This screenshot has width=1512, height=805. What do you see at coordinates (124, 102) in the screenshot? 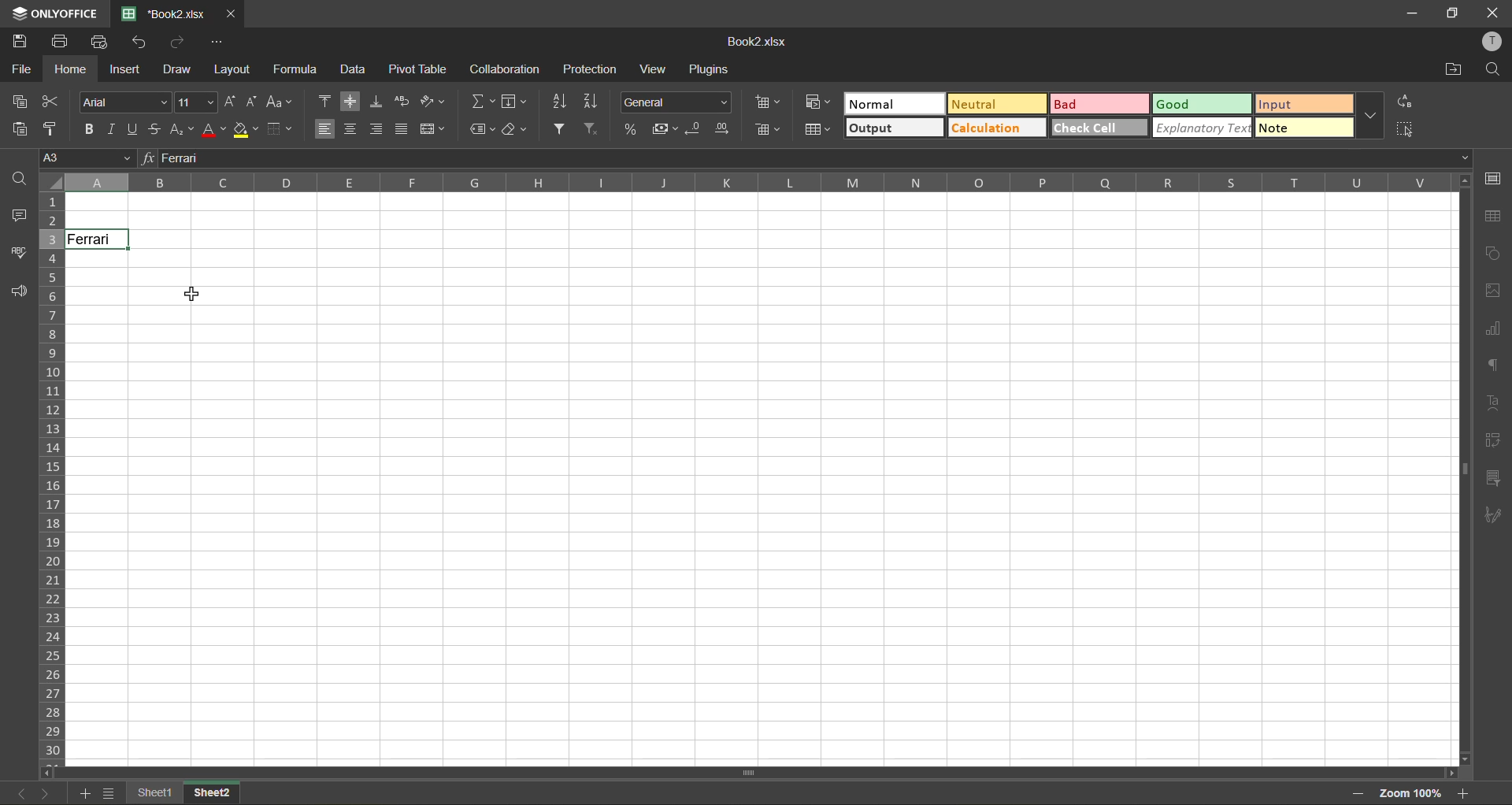
I see `font style` at bounding box center [124, 102].